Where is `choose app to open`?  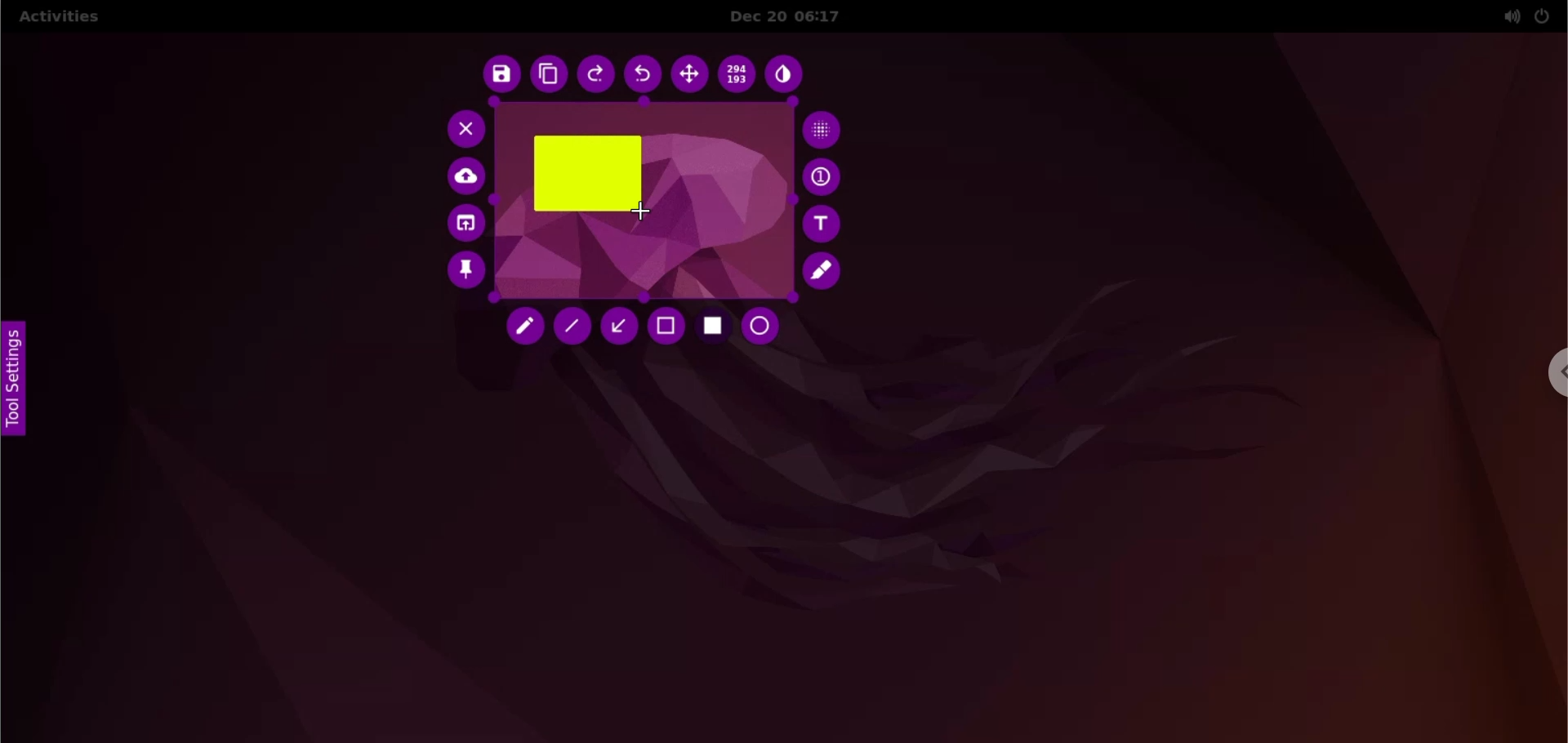
choose app to open is located at coordinates (464, 225).